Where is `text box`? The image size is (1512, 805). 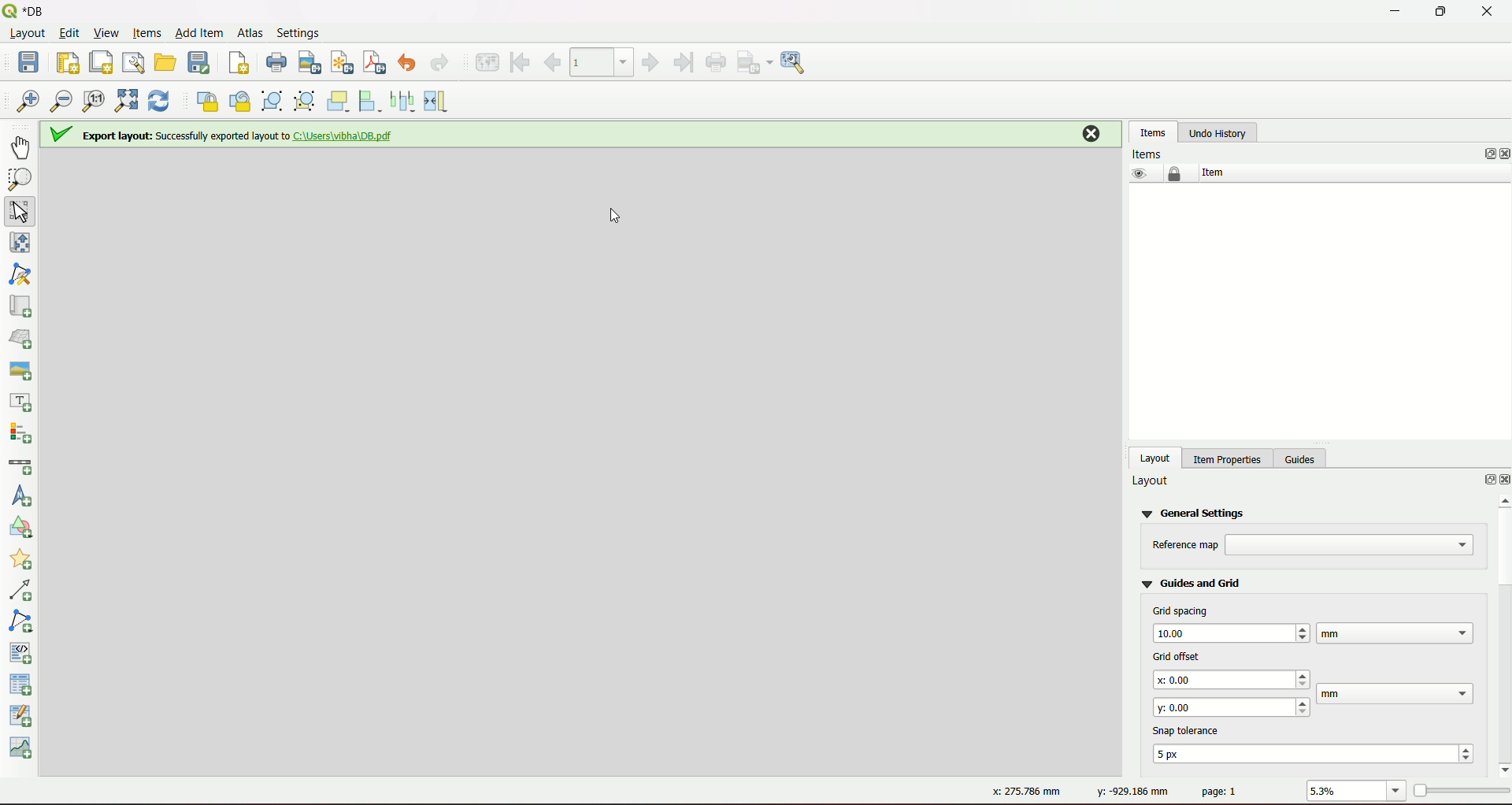 text box is located at coordinates (1317, 753).